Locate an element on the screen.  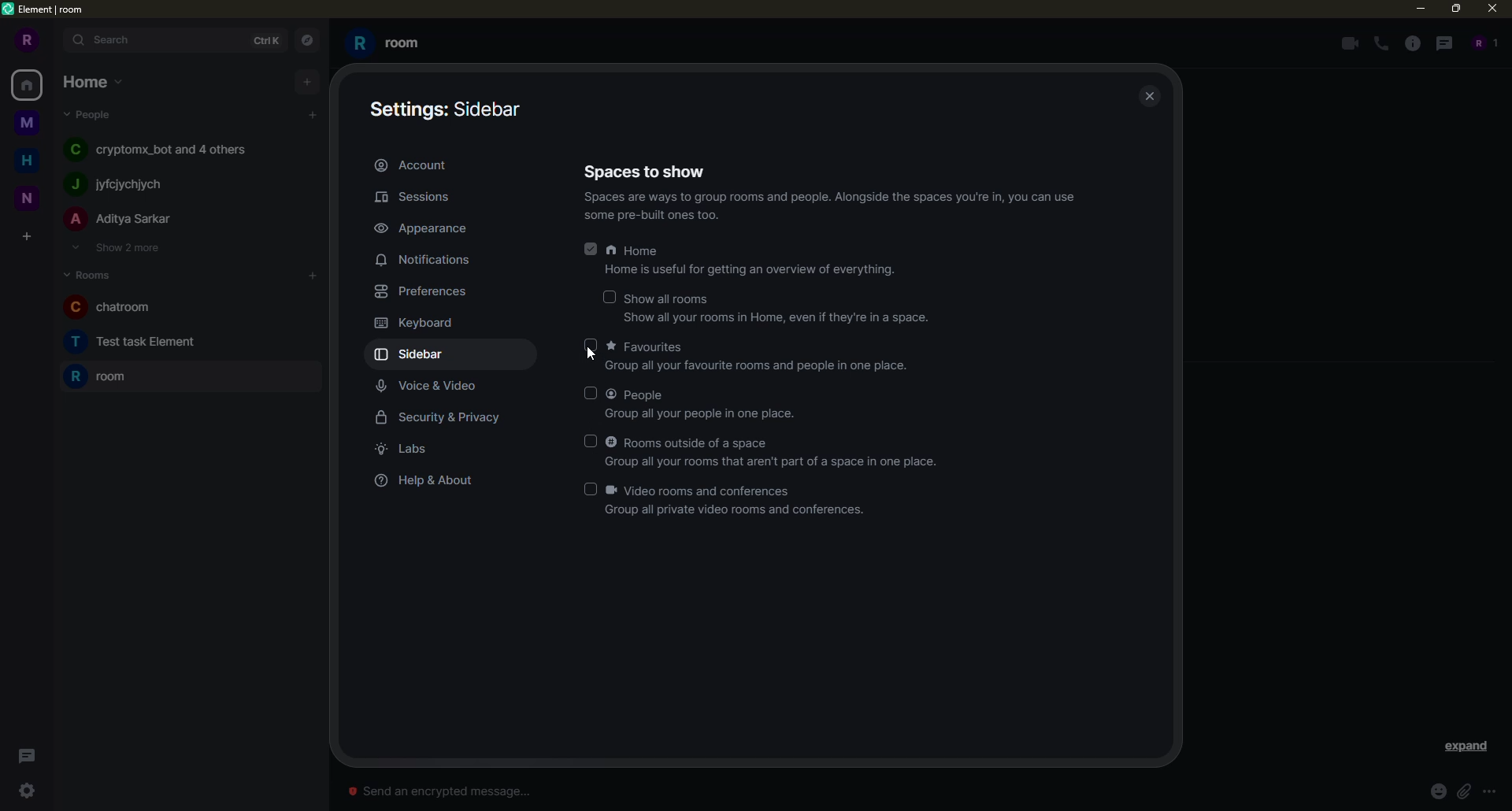
j~ lyiclyehlyeh is located at coordinates (150, 185).